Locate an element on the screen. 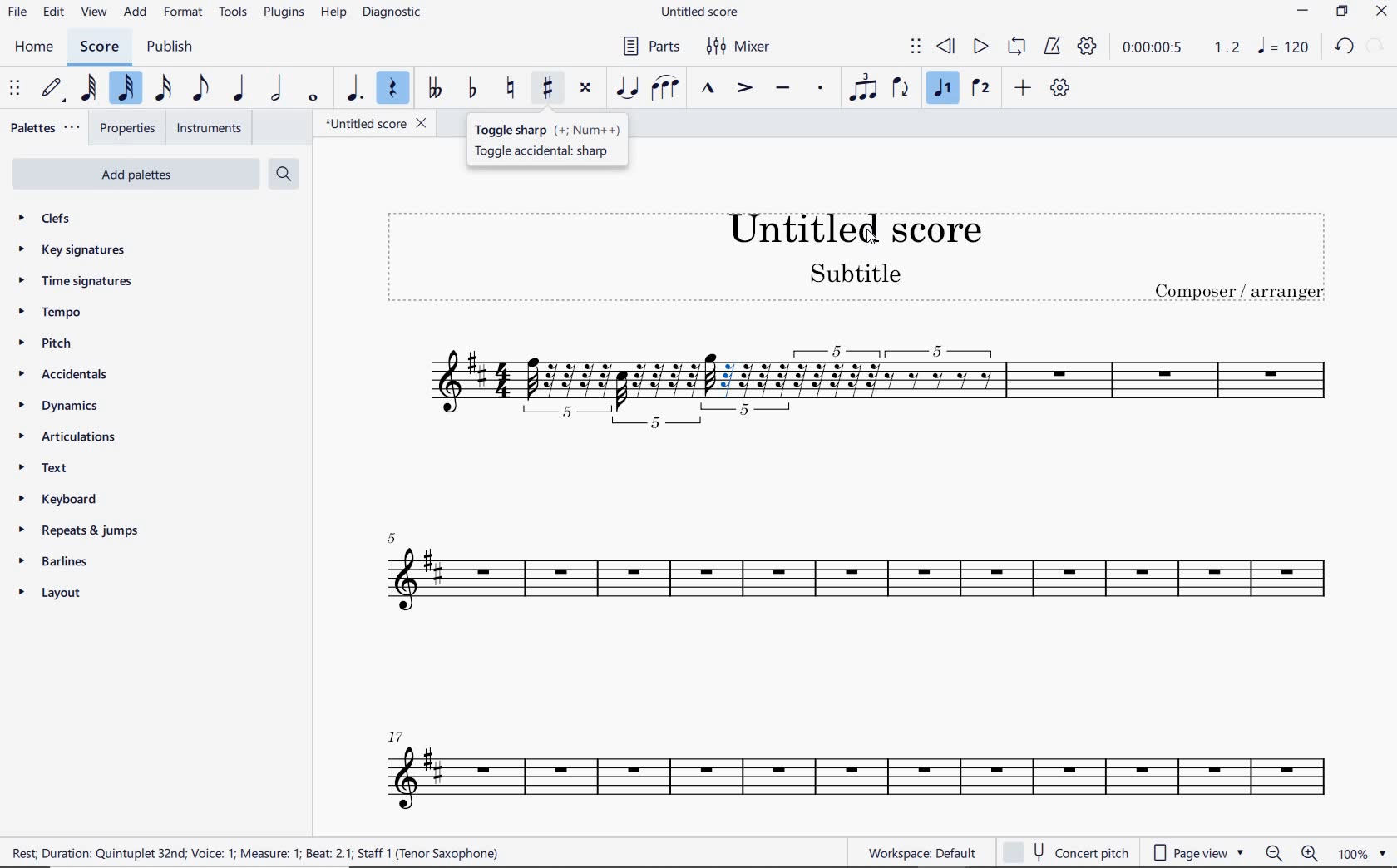 The height and width of the screenshot is (868, 1397). 16TH NOTE is located at coordinates (163, 88).